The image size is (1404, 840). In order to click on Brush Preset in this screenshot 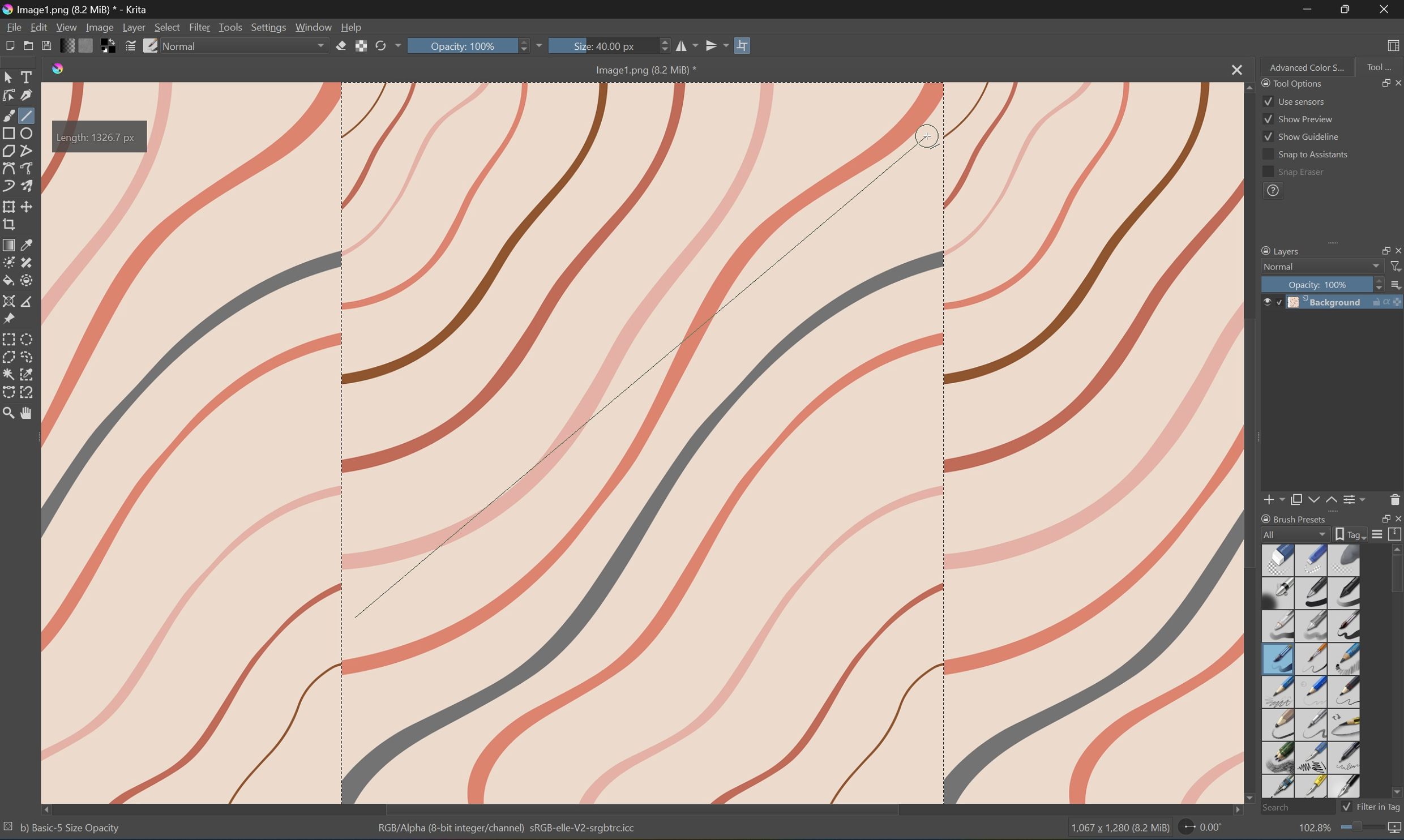, I will do `click(1294, 517)`.